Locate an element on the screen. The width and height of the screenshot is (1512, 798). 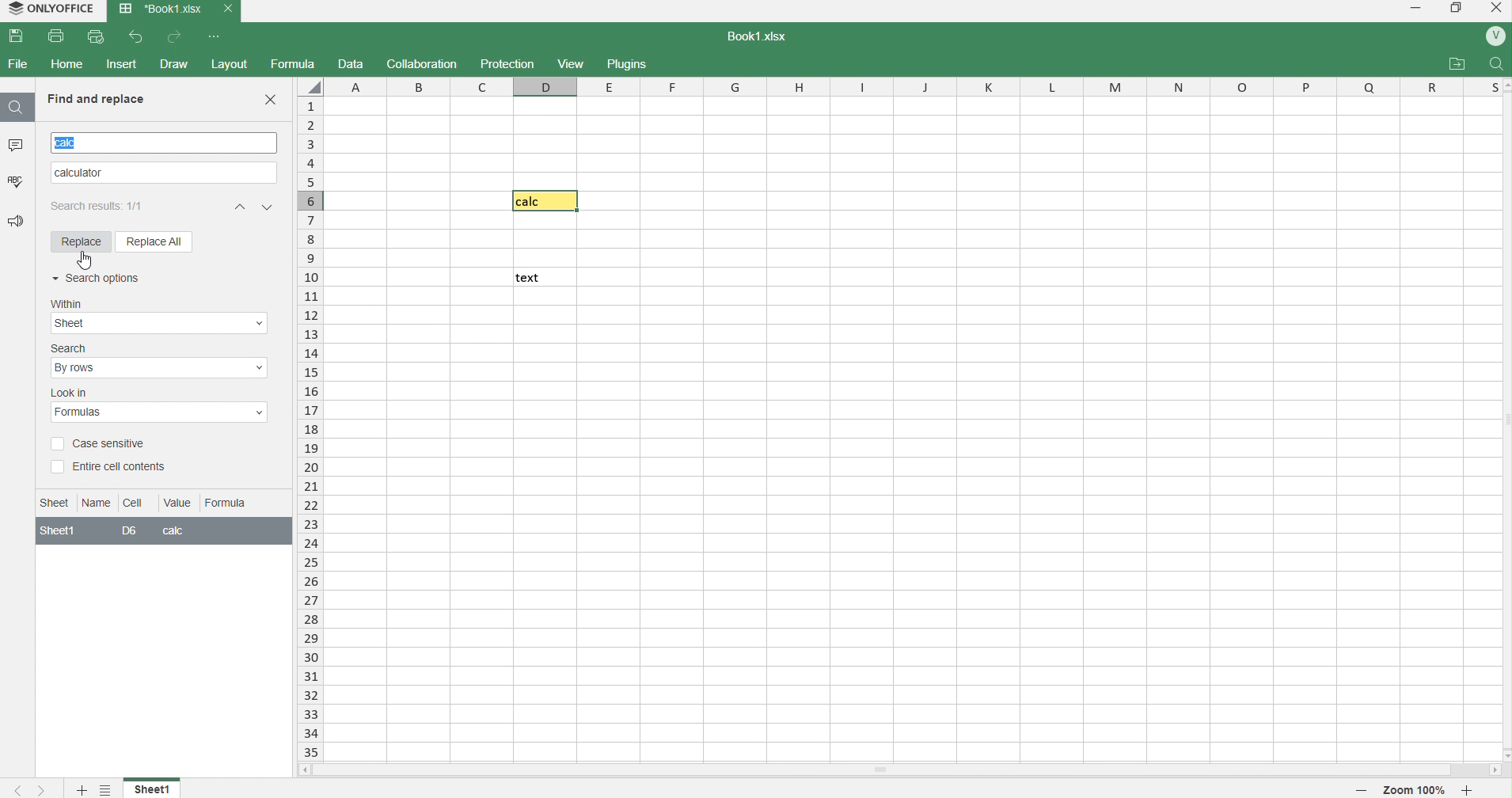
protection is located at coordinates (507, 63).